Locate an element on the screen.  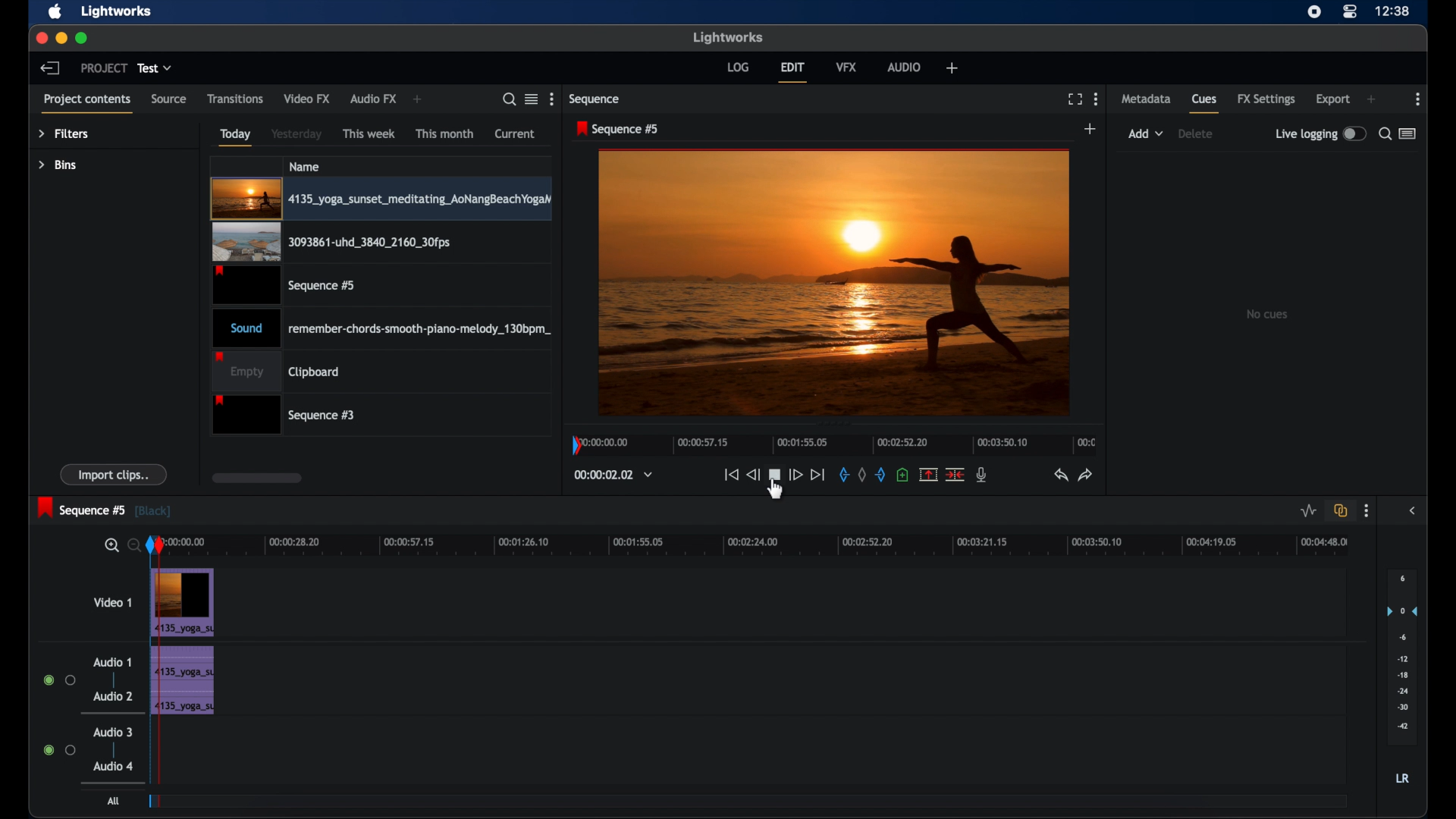
timecodes  and reels is located at coordinates (614, 475).